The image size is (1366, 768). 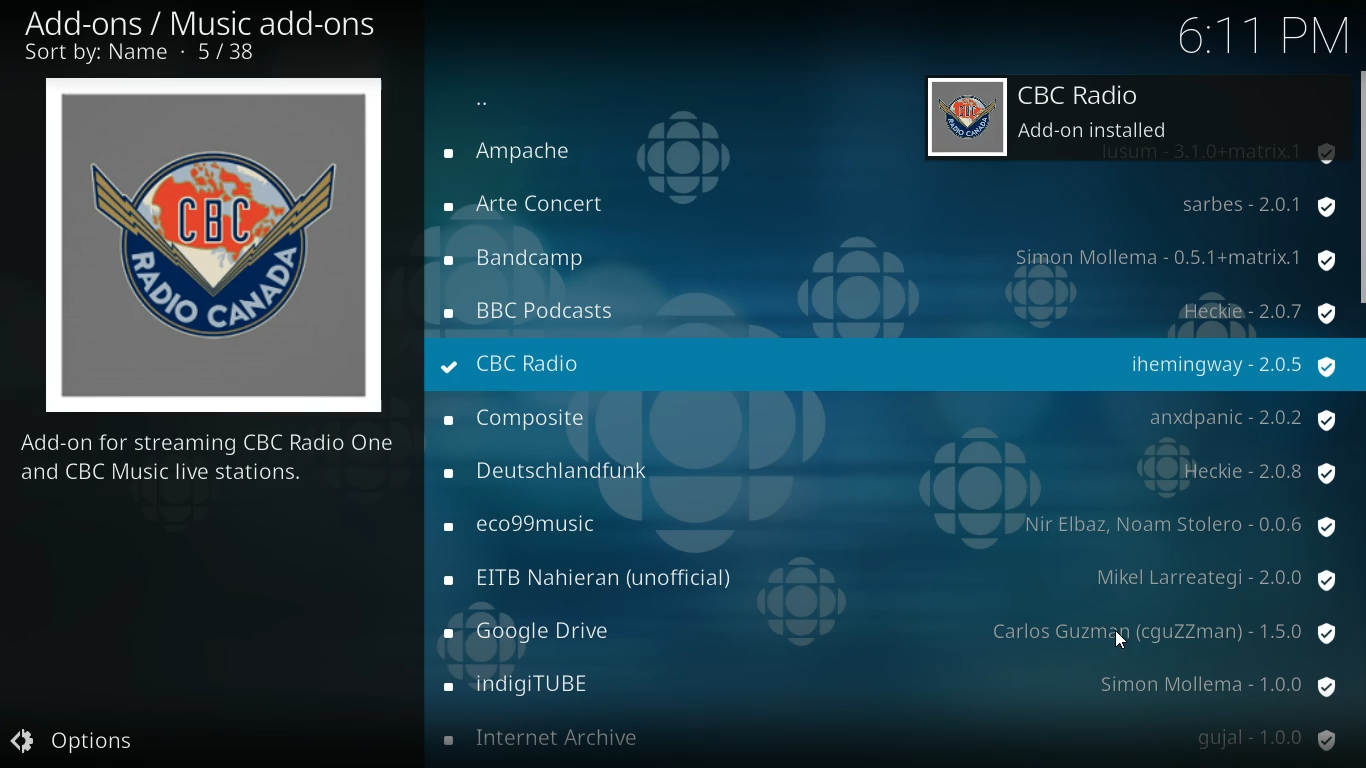 I want to click on protection, so click(x=1147, y=634).